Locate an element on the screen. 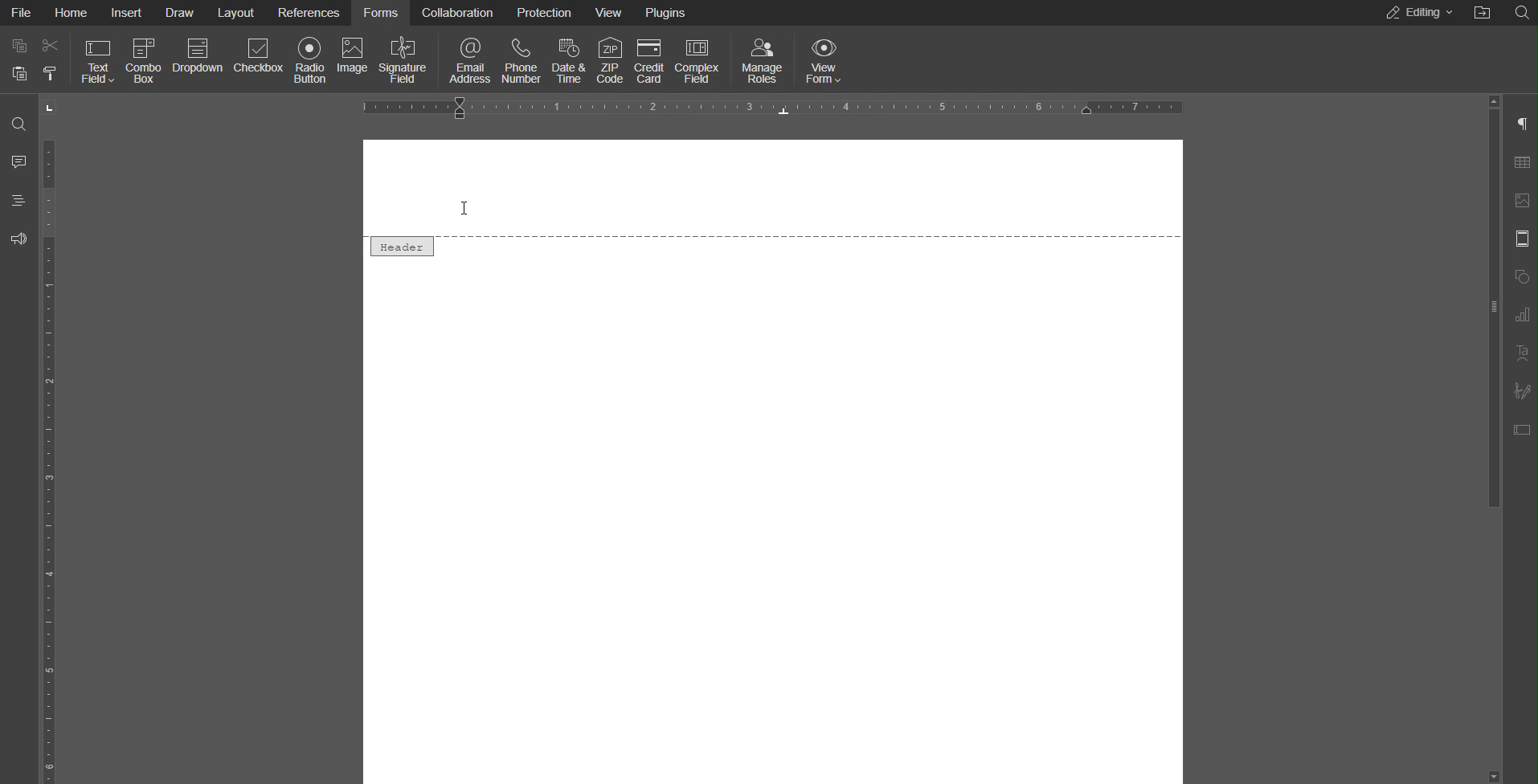 This screenshot has height=784, width=1538. cursor is located at coordinates (460, 209).